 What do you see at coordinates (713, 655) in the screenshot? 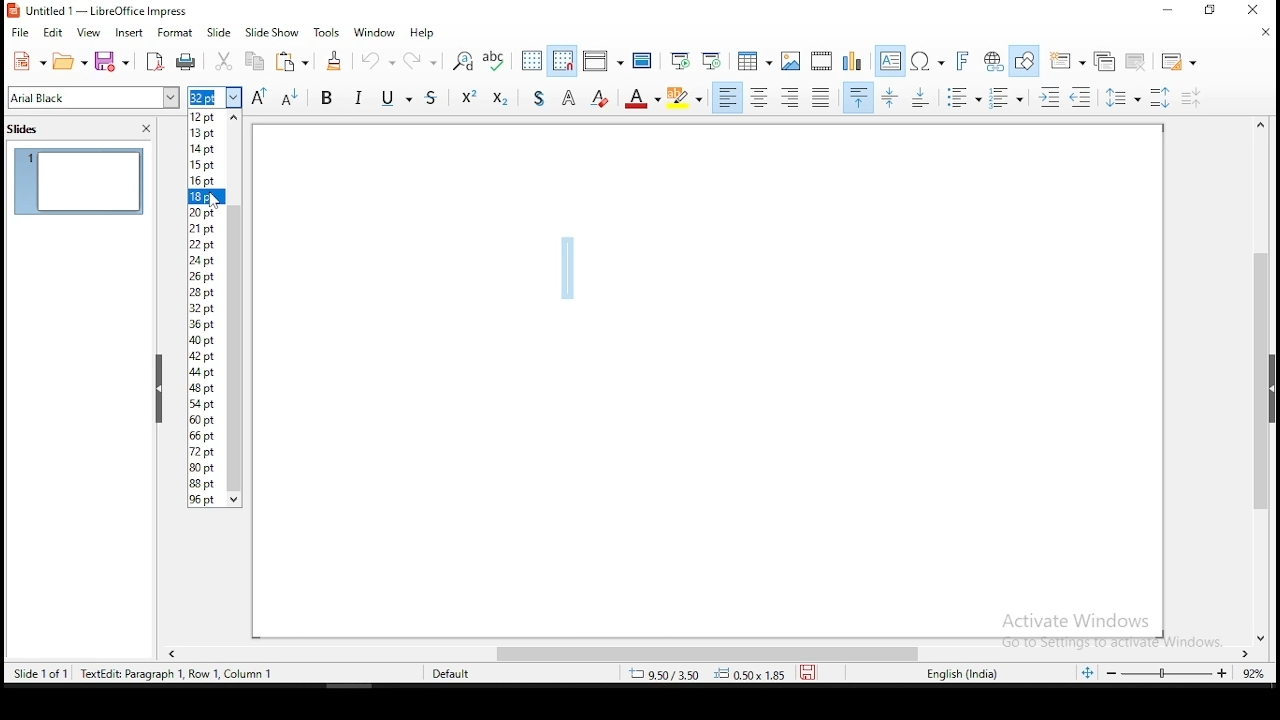
I see `scroll bar` at bounding box center [713, 655].